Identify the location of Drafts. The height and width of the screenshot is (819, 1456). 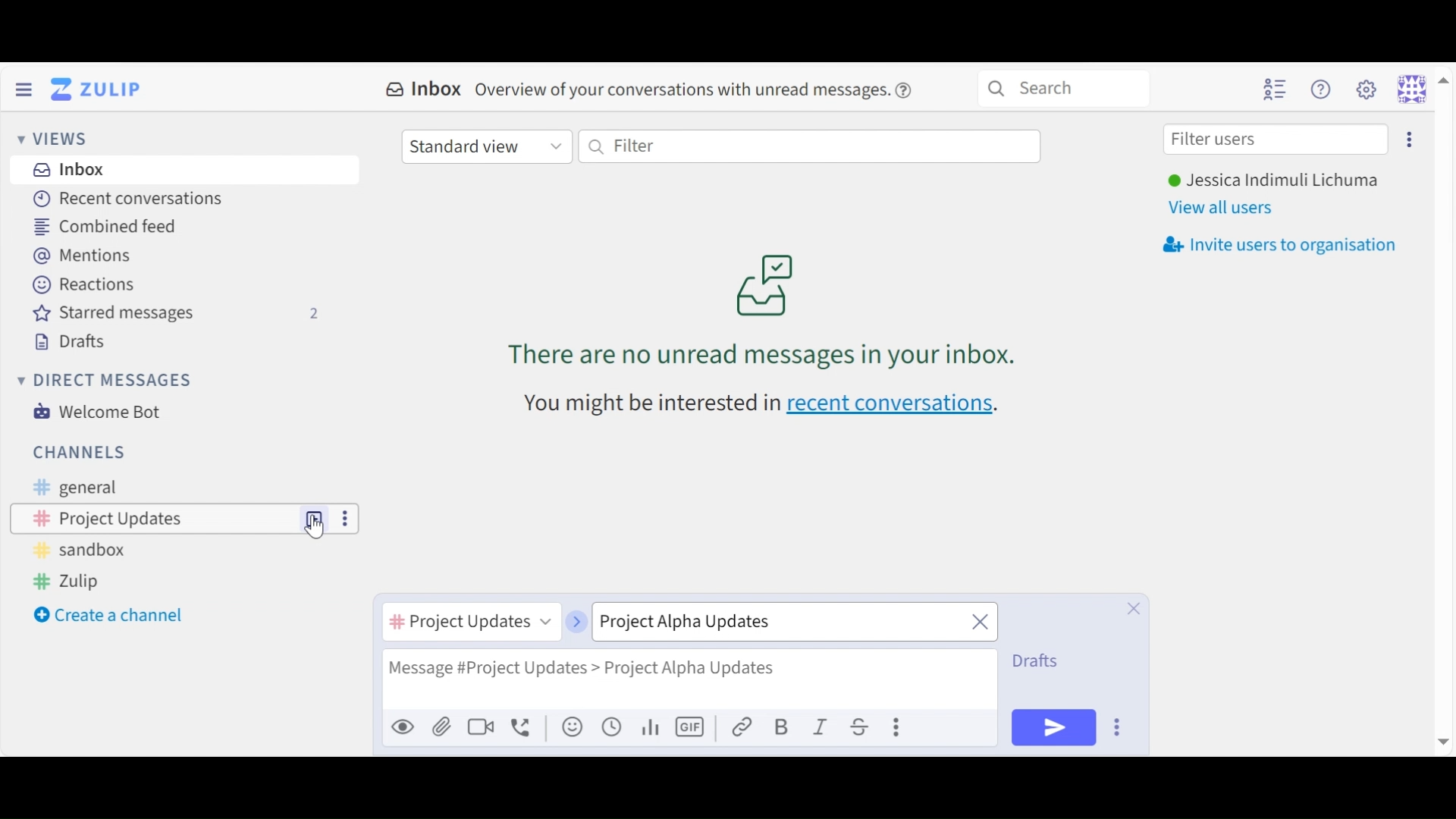
(1040, 661).